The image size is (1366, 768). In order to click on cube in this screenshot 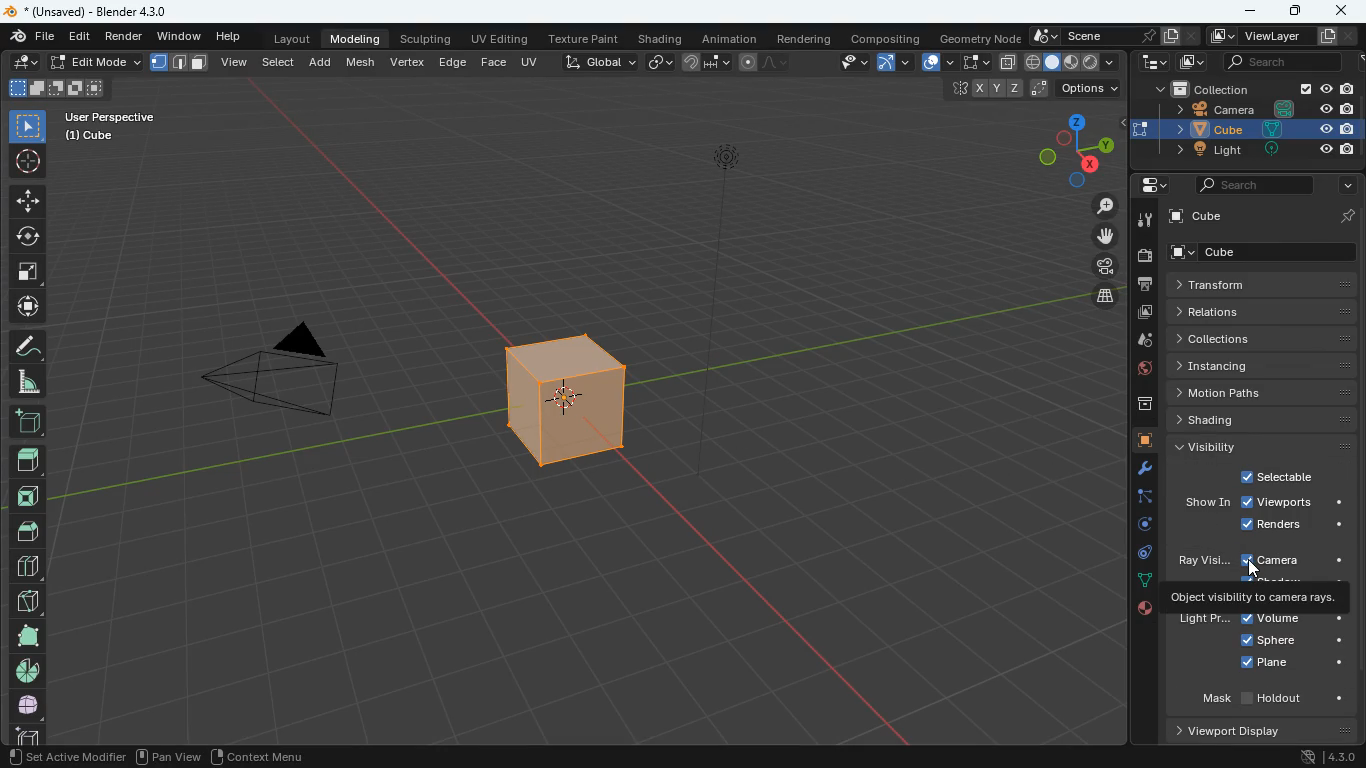, I will do `click(92, 137)`.